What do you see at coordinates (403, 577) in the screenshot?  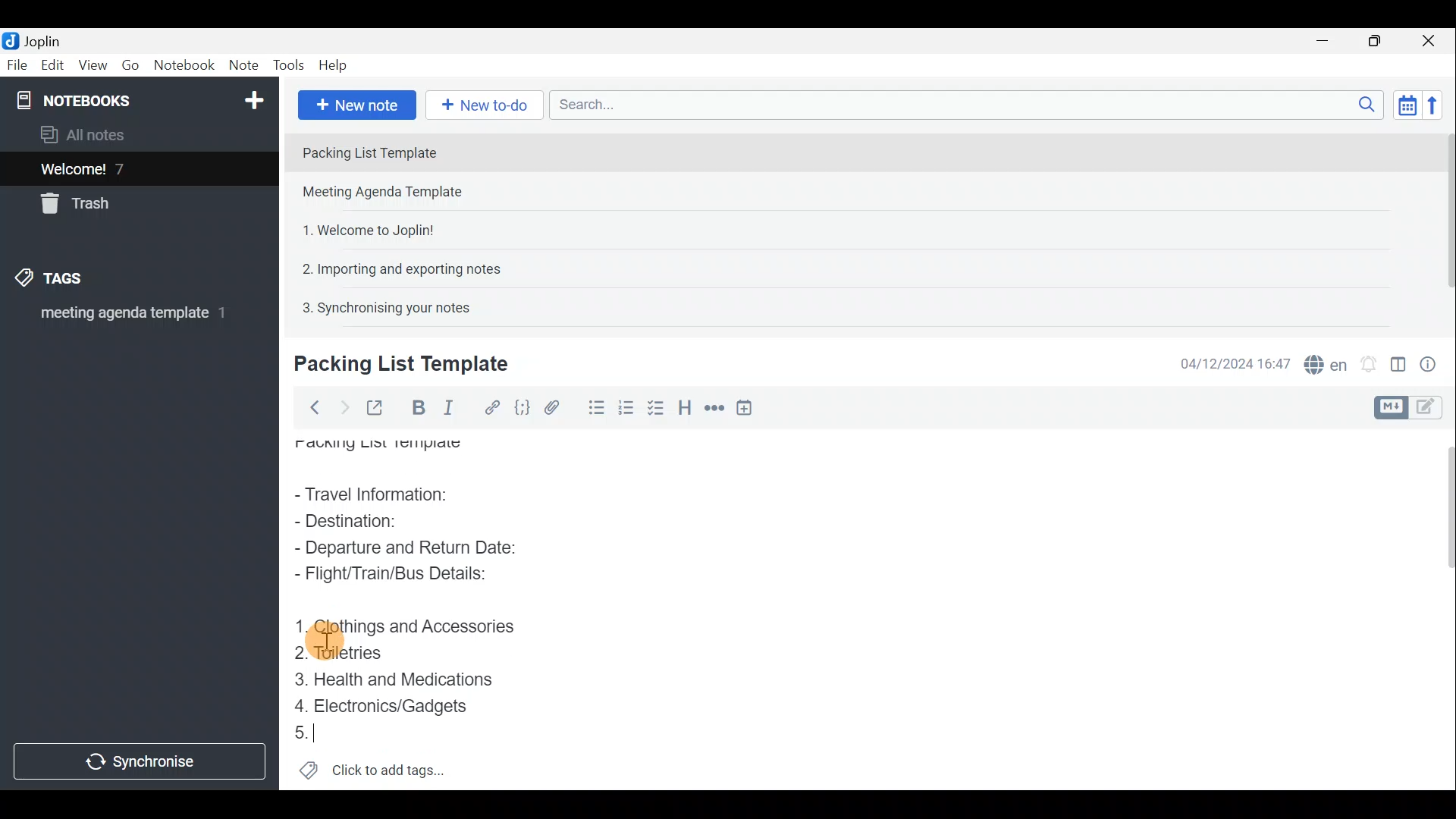 I see `Flight/Train/Bus Details:` at bounding box center [403, 577].